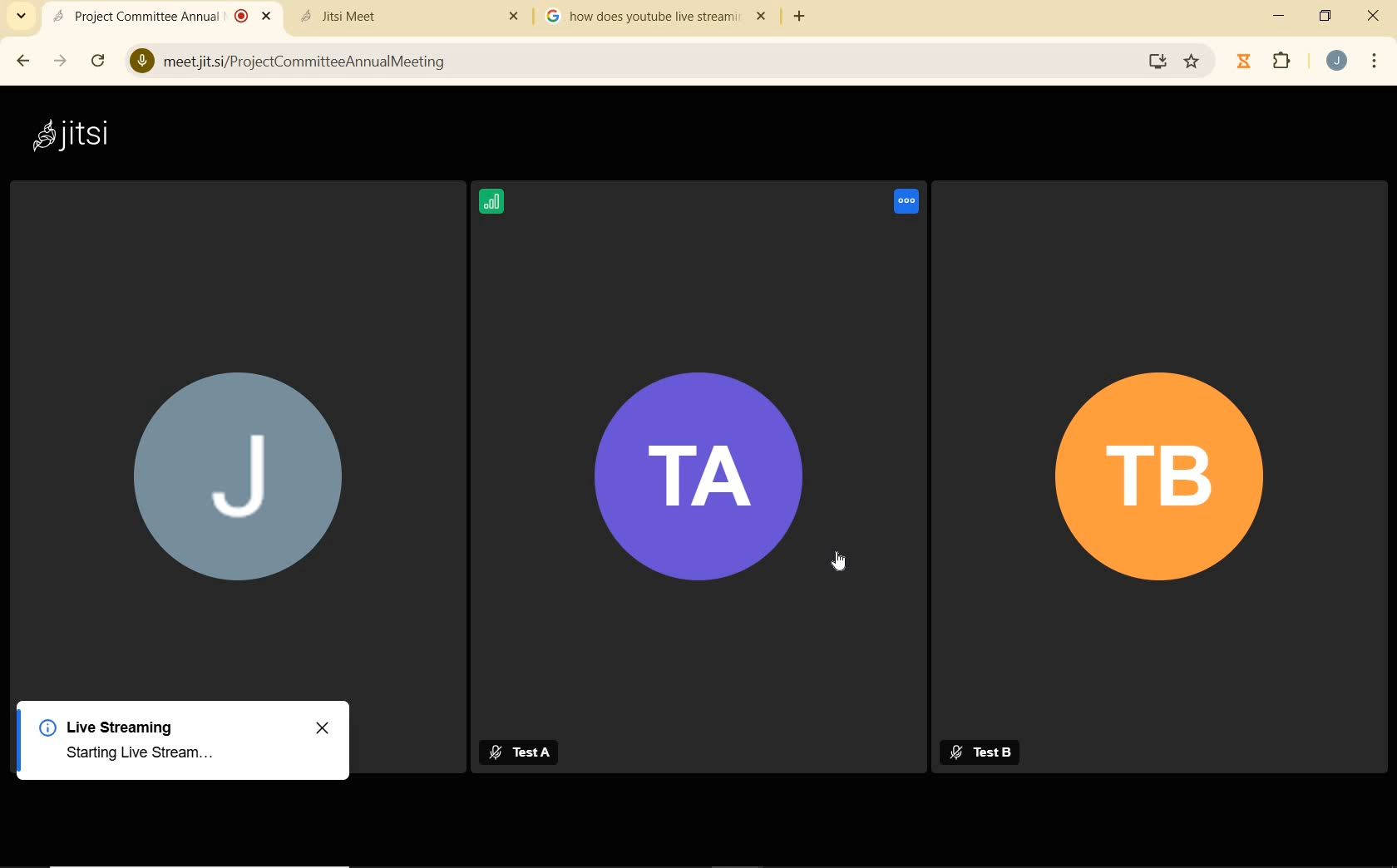  Describe the element at coordinates (1177, 485) in the screenshot. I see `TB` at that location.